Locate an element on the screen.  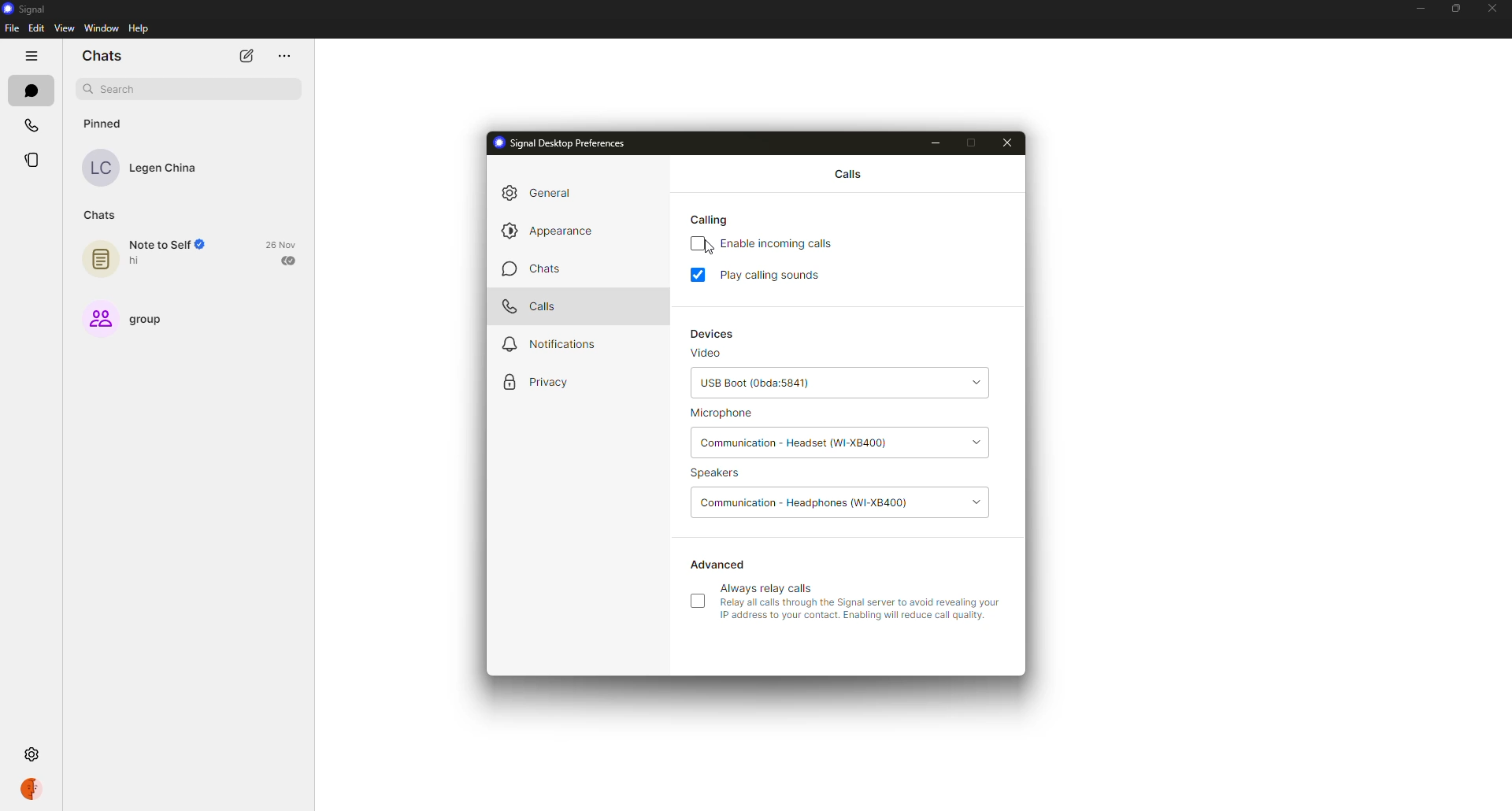
calls is located at coordinates (849, 172).